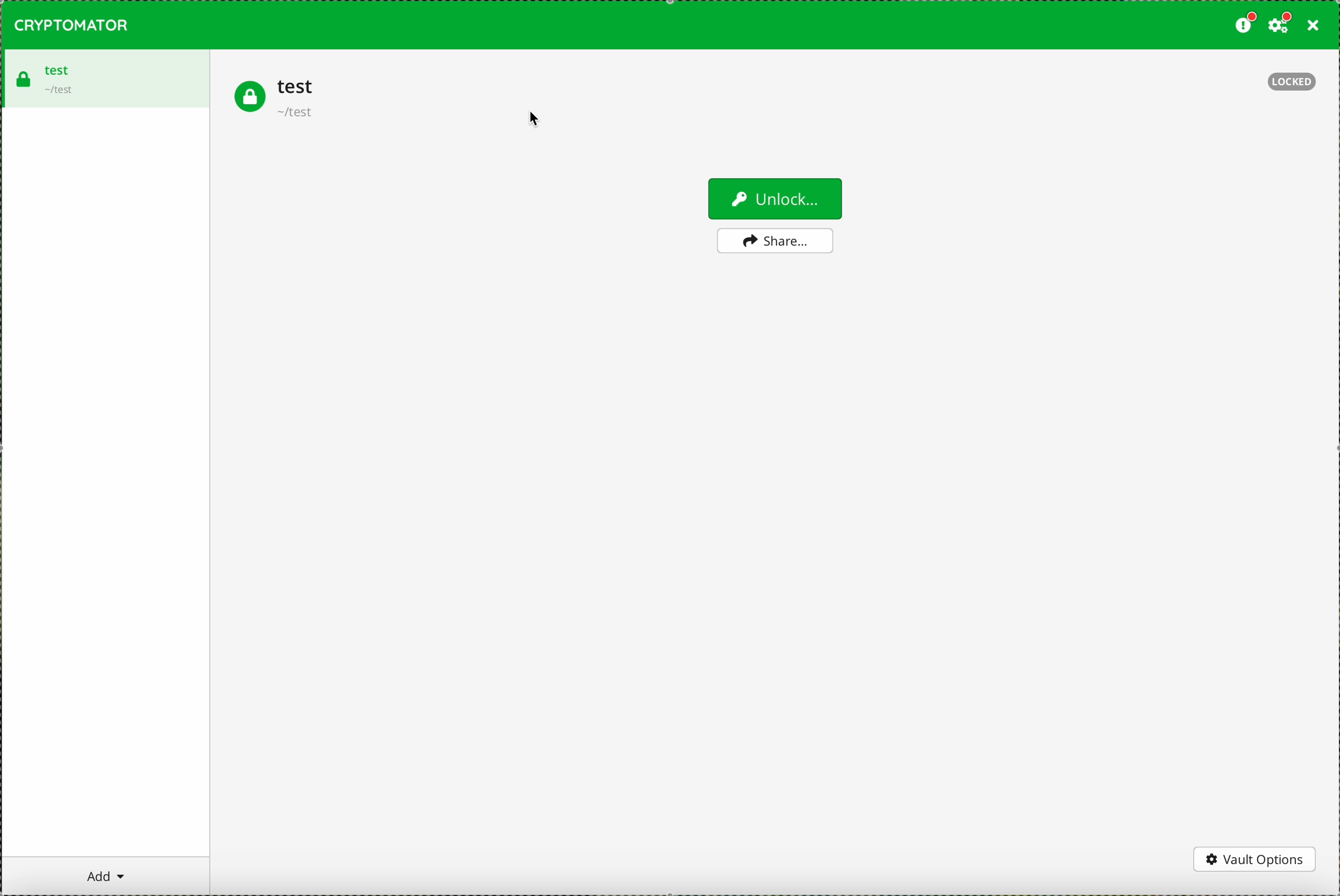 This screenshot has height=896, width=1340. What do you see at coordinates (533, 123) in the screenshot?
I see `cursor` at bounding box center [533, 123].